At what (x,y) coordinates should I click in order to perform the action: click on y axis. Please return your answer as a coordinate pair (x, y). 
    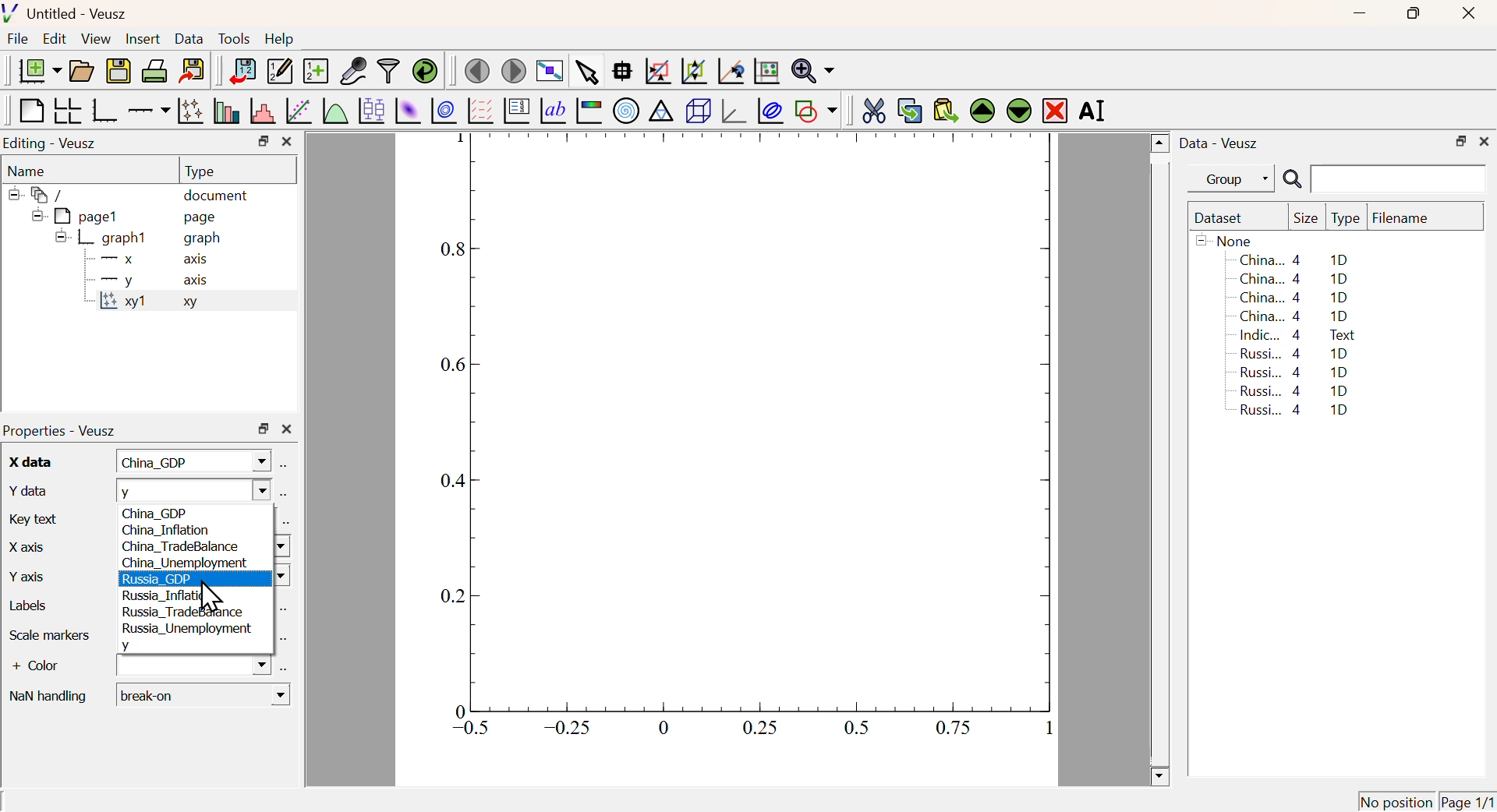
    Looking at the image, I should click on (147, 280).